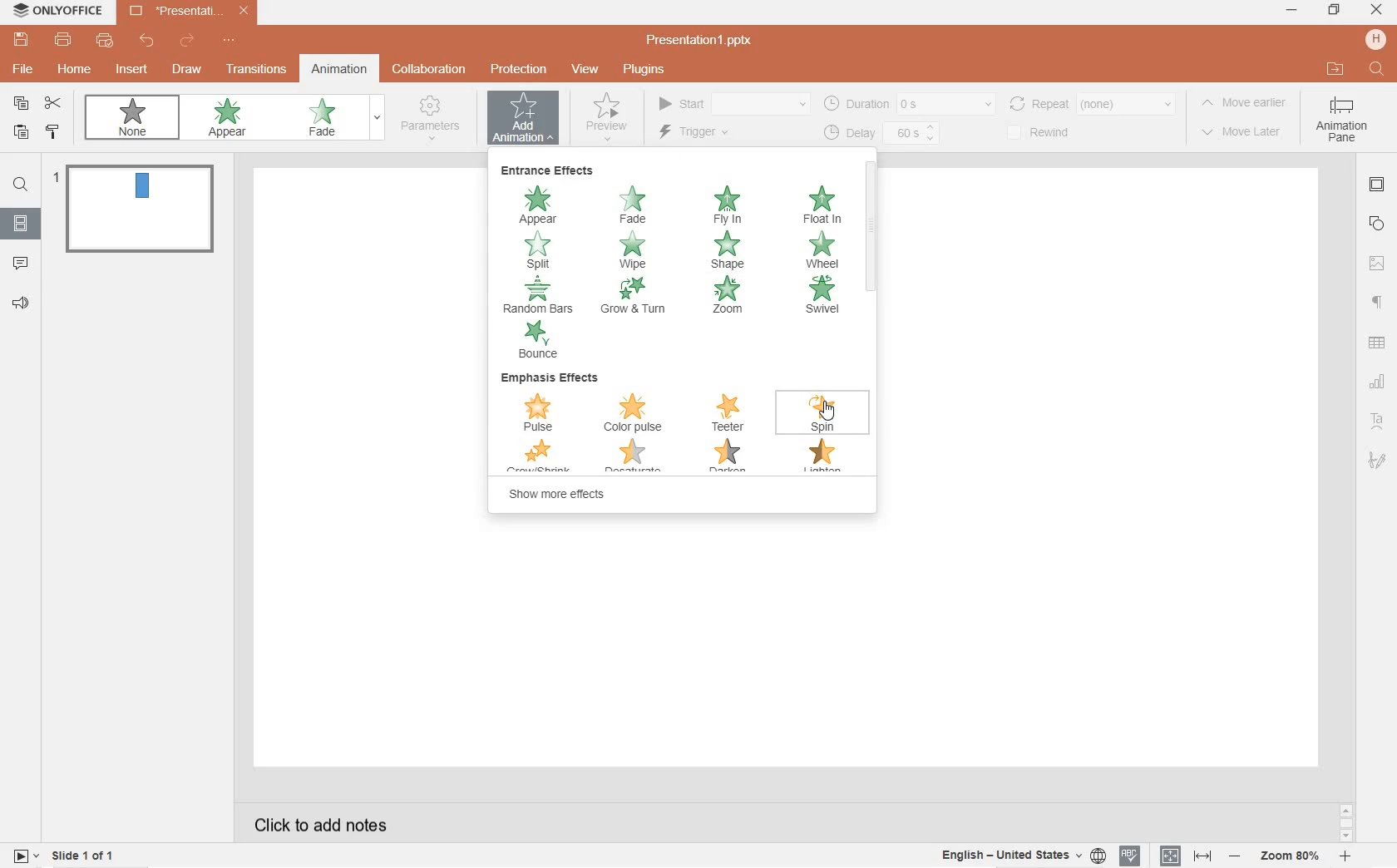  What do you see at coordinates (54, 134) in the screenshot?
I see `copy style` at bounding box center [54, 134].